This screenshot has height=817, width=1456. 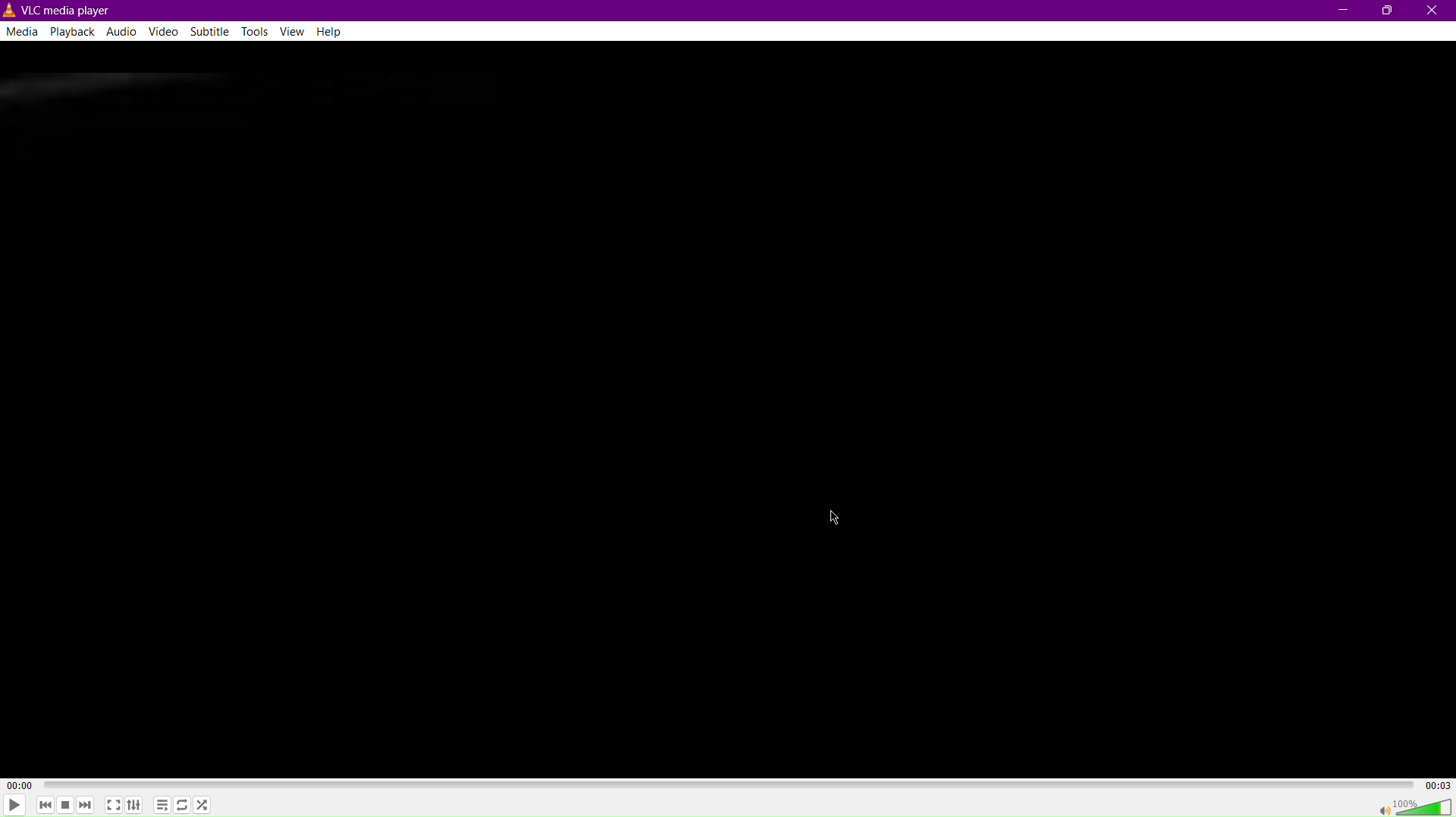 What do you see at coordinates (44, 806) in the screenshot?
I see `skip back` at bounding box center [44, 806].